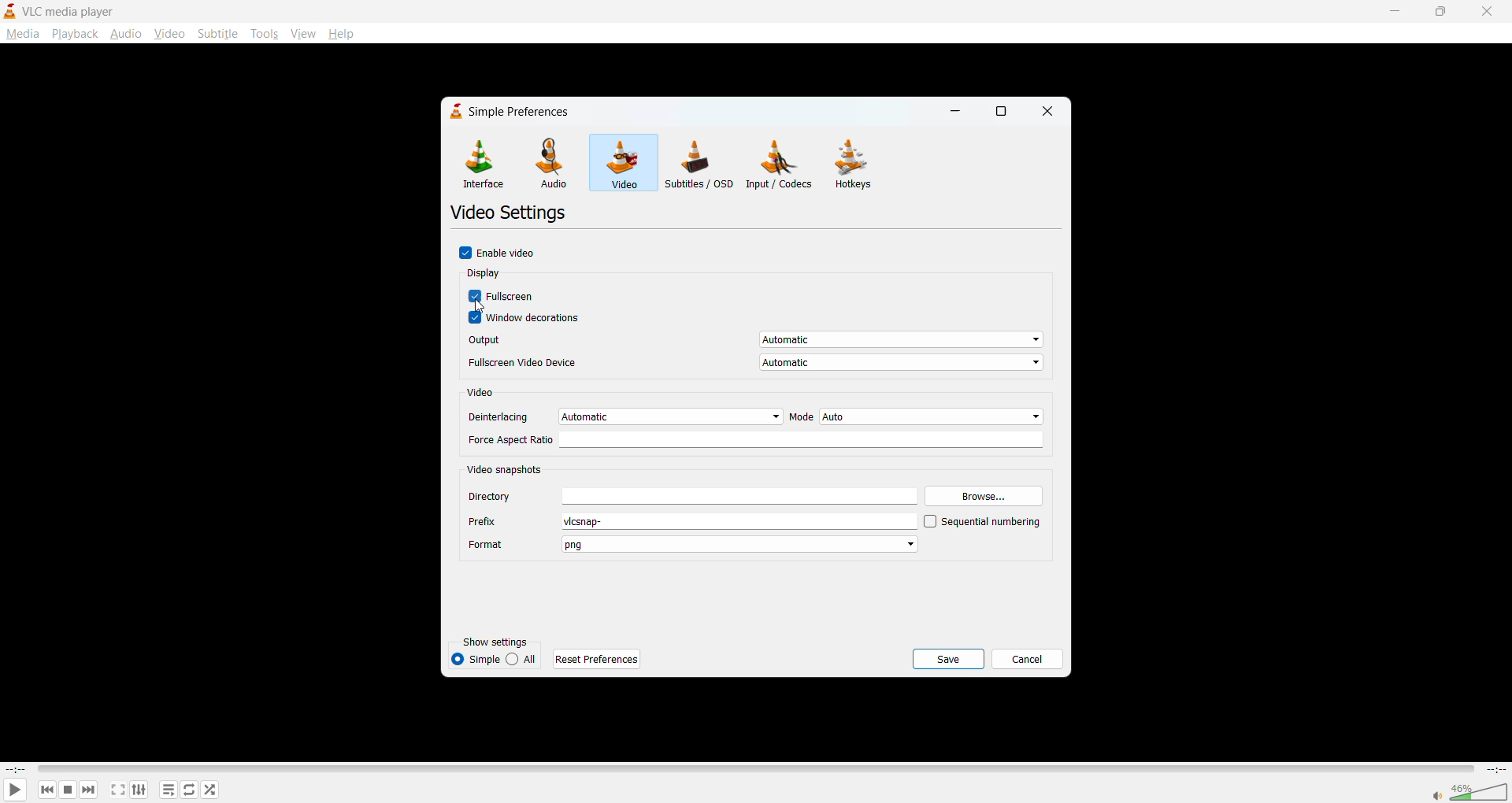  I want to click on video, so click(168, 34).